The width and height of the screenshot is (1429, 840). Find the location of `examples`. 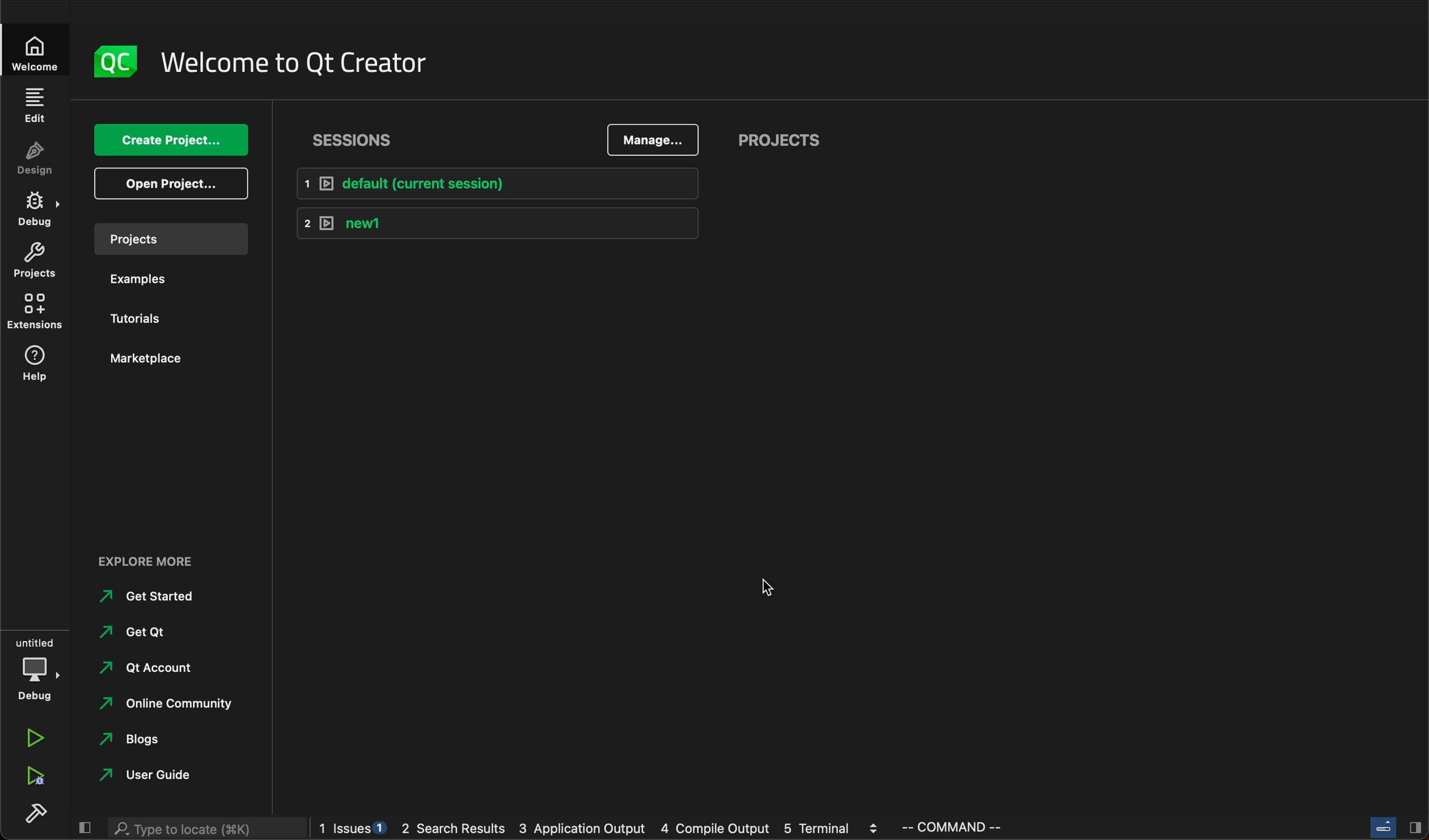

examples is located at coordinates (142, 282).